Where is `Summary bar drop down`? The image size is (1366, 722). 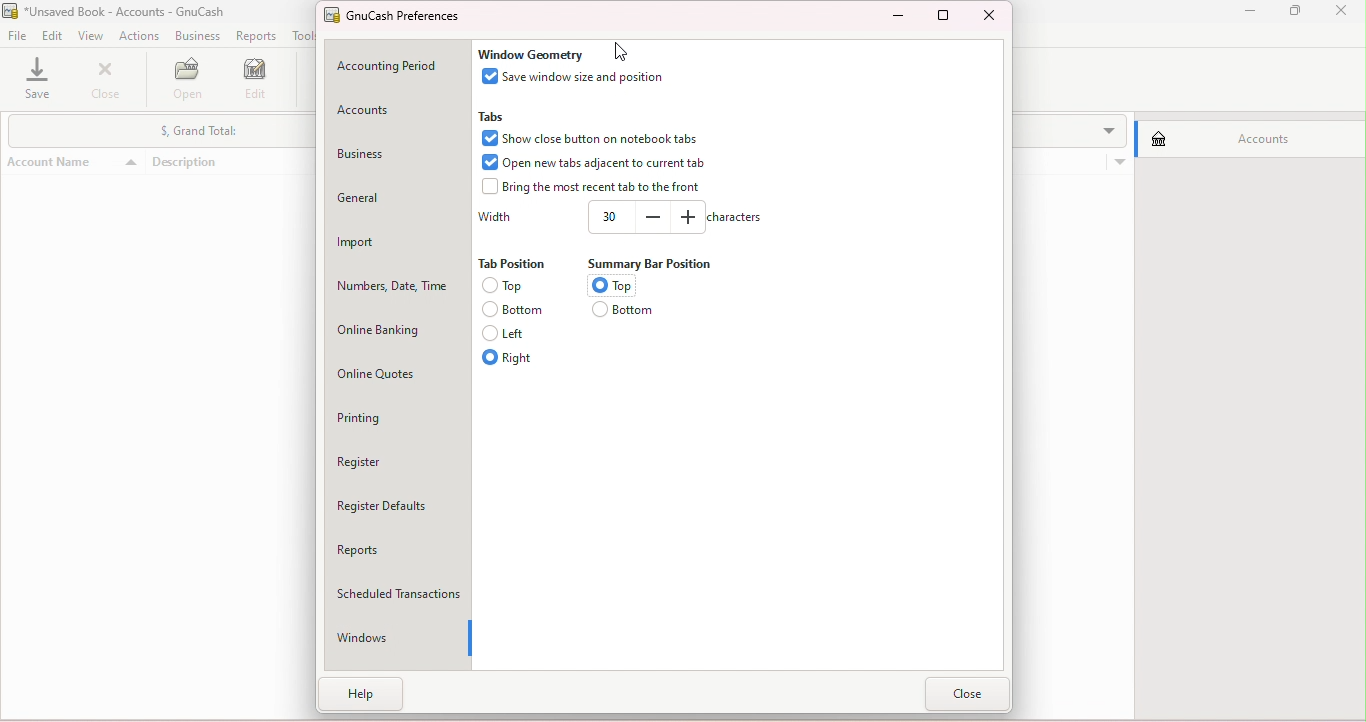 Summary bar drop down is located at coordinates (154, 703).